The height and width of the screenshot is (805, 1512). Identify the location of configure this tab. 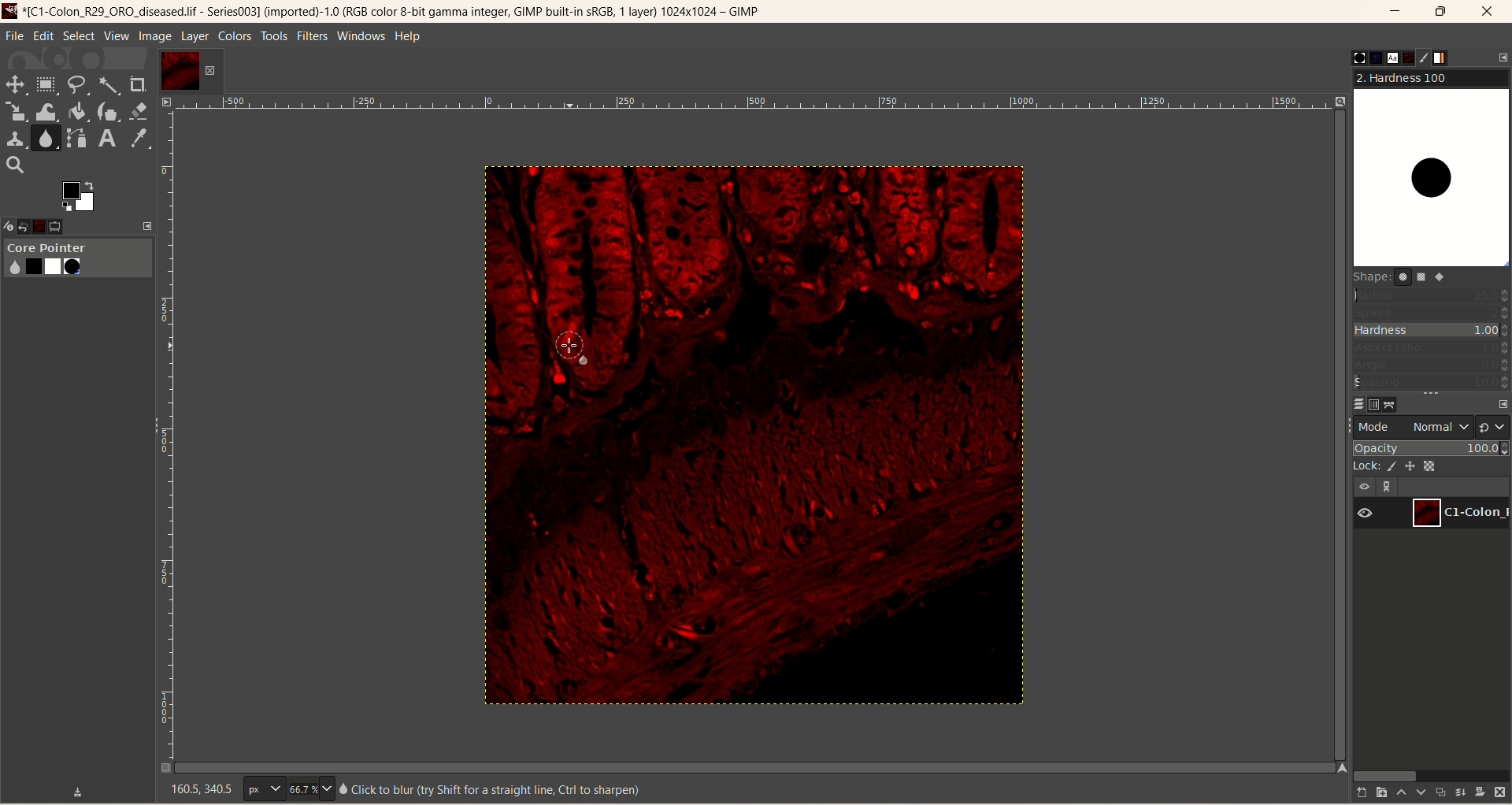
(1503, 57).